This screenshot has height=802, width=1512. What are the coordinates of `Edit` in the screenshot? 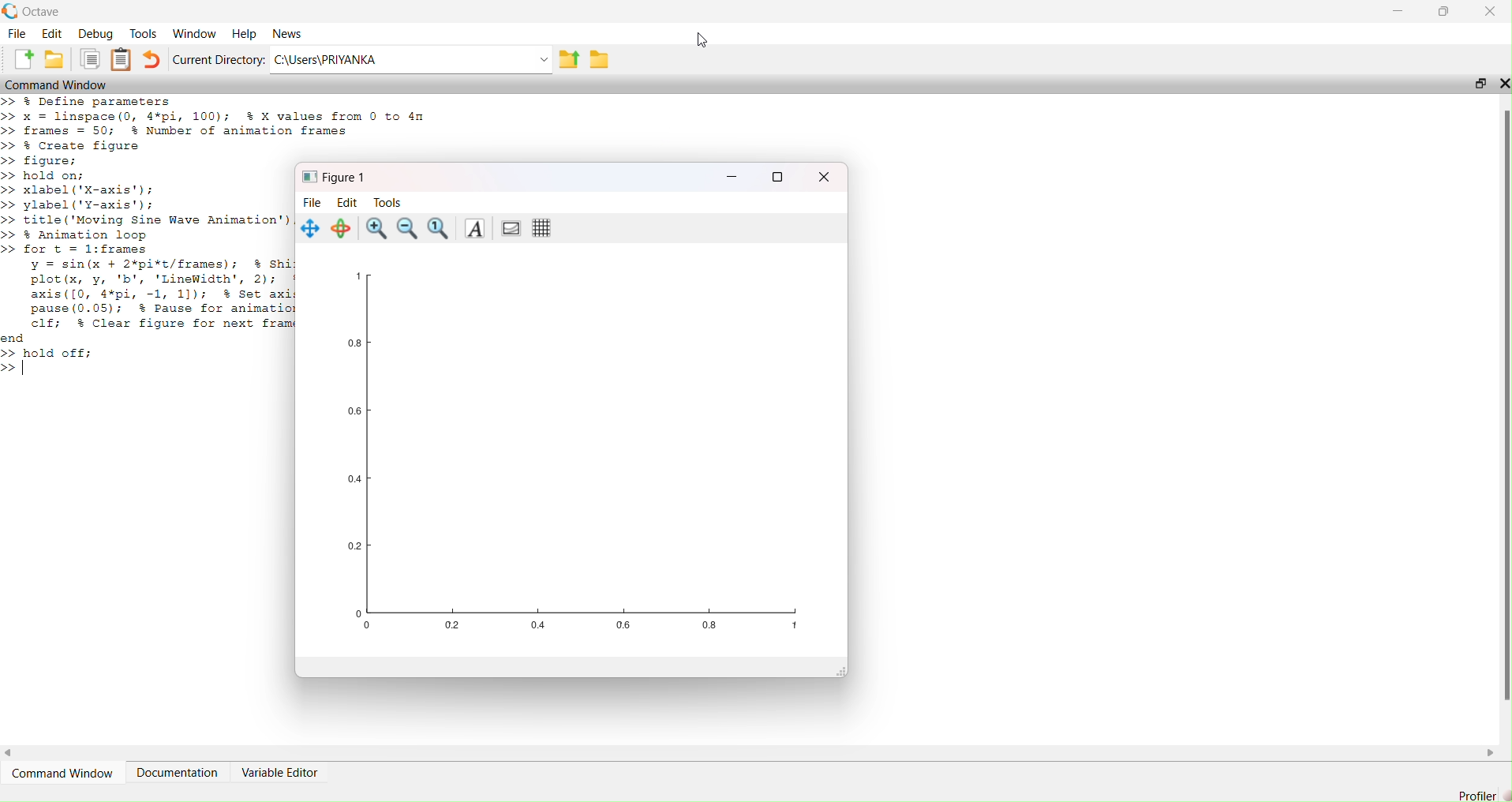 It's located at (51, 33).